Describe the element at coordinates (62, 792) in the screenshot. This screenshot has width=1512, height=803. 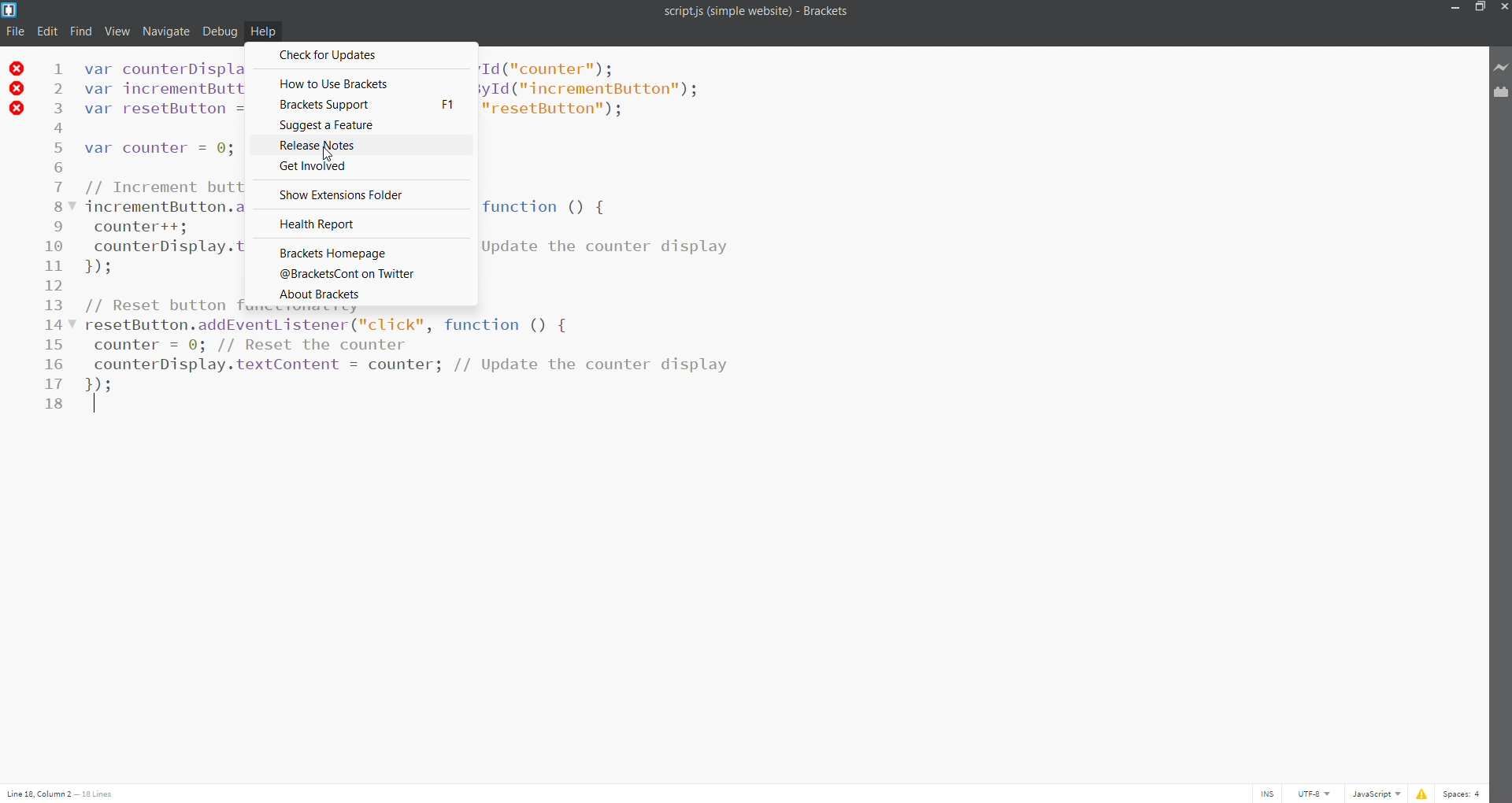
I see `Line 18 , column 2, 18 lines` at that location.